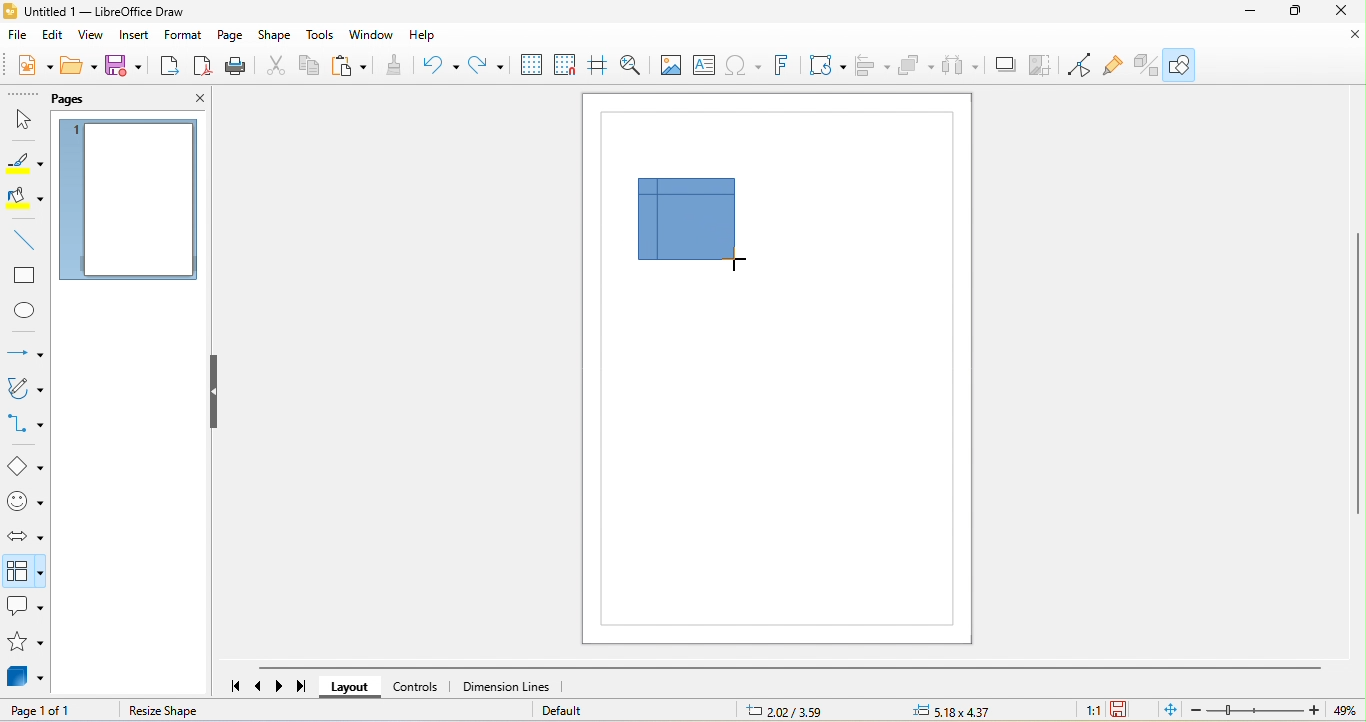 Image resolution: width=1366 pixels, height=722 pixels. I want to click on help, so click(424, 38).